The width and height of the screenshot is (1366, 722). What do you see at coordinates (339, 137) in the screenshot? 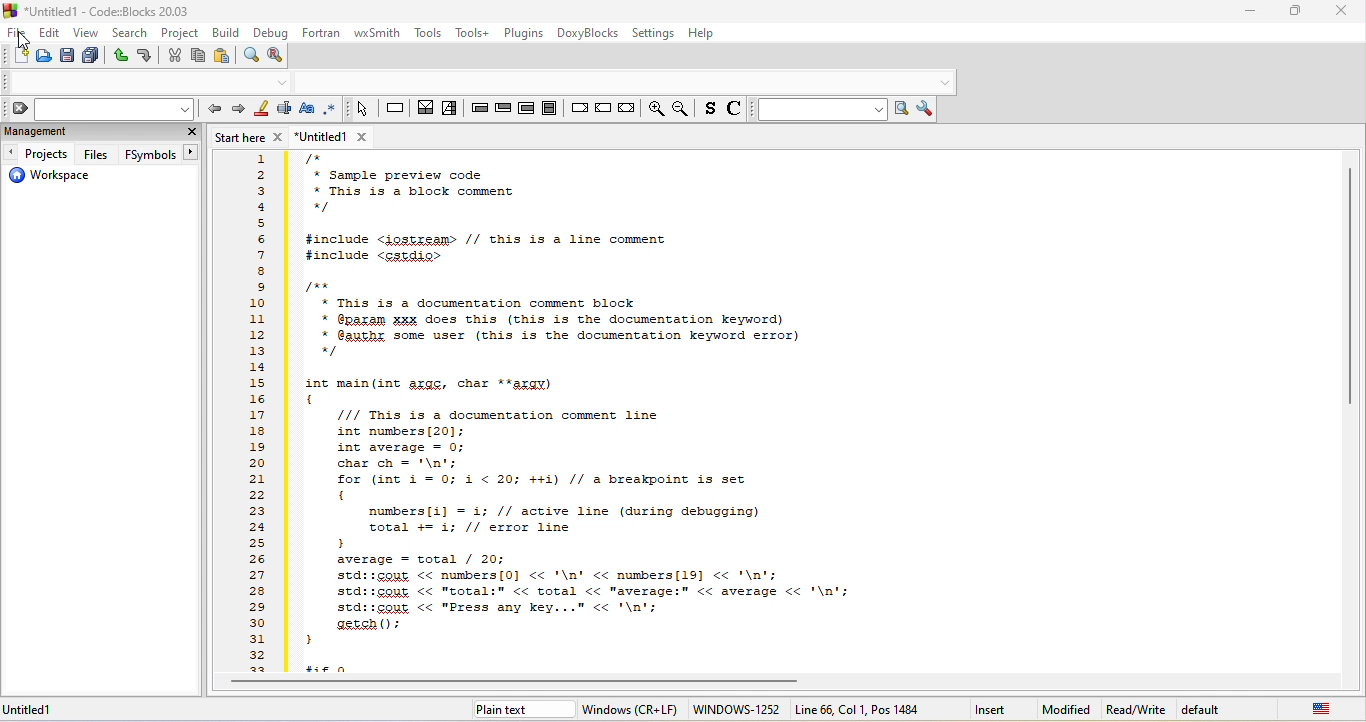
I see `untitled 1` at bounding box center [339, 137].